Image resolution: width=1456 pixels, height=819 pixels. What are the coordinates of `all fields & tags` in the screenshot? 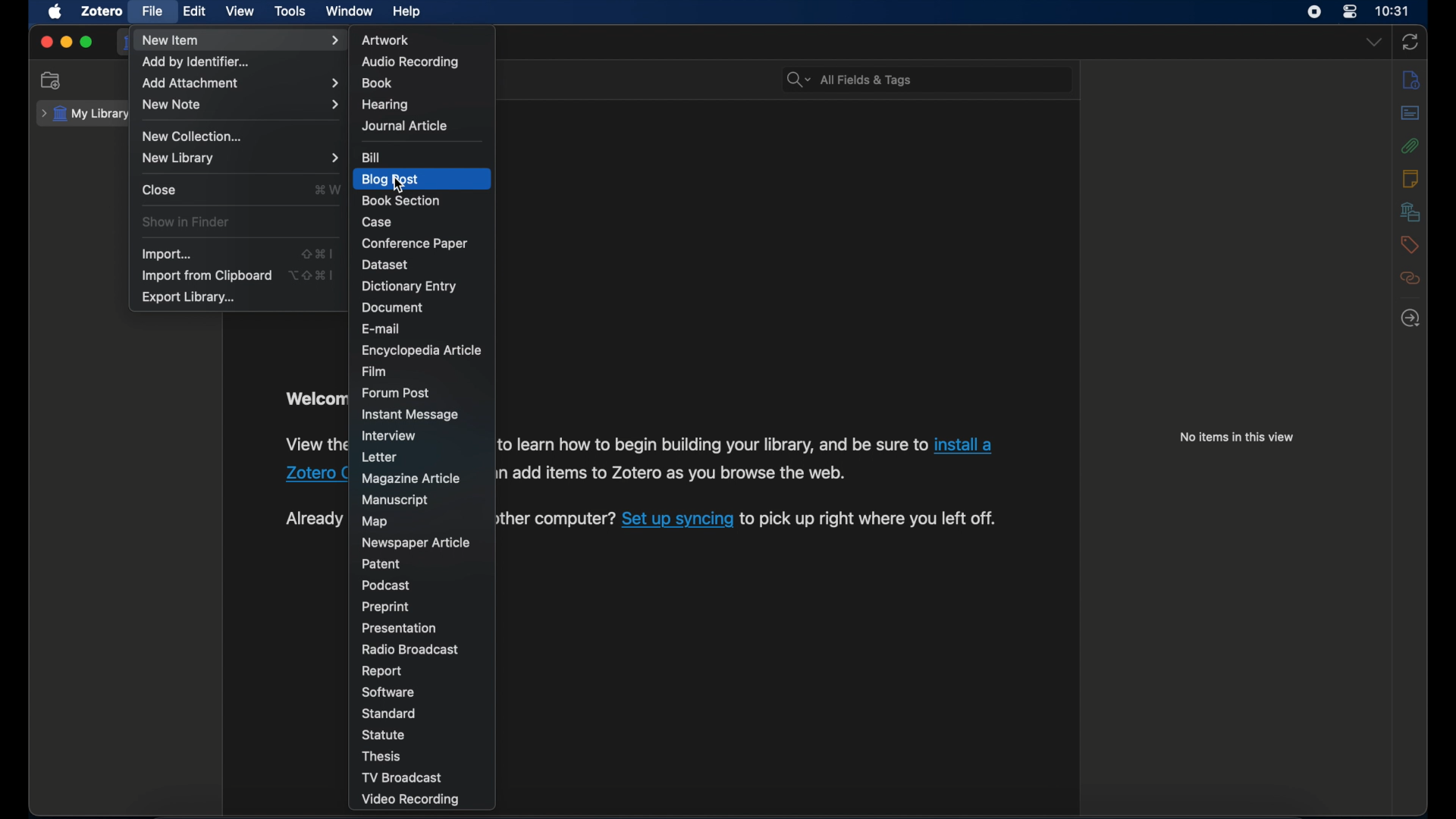 It's located at (851, 80).